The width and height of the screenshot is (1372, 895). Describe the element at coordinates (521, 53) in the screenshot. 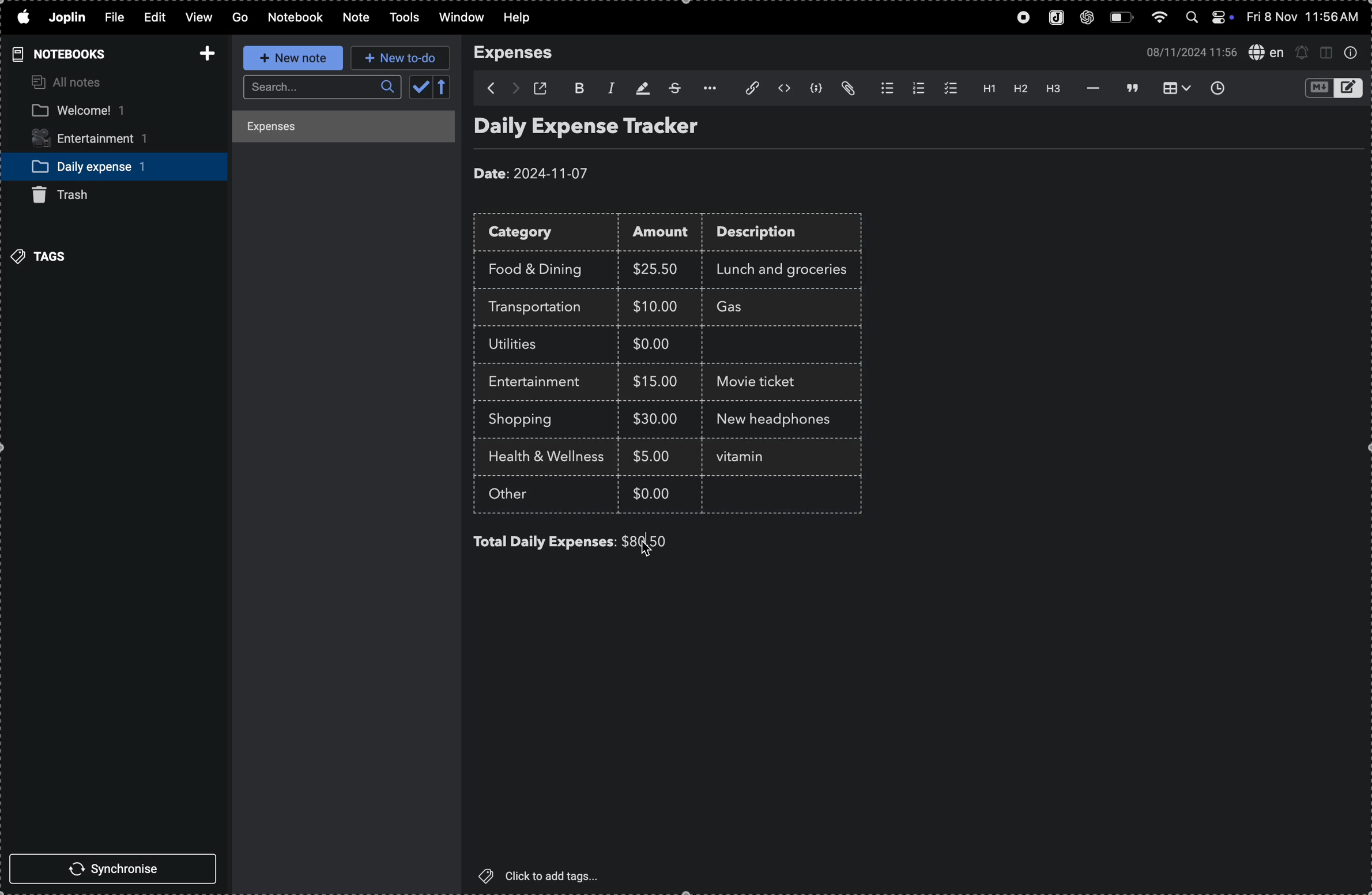

I see `expenses` at that location.